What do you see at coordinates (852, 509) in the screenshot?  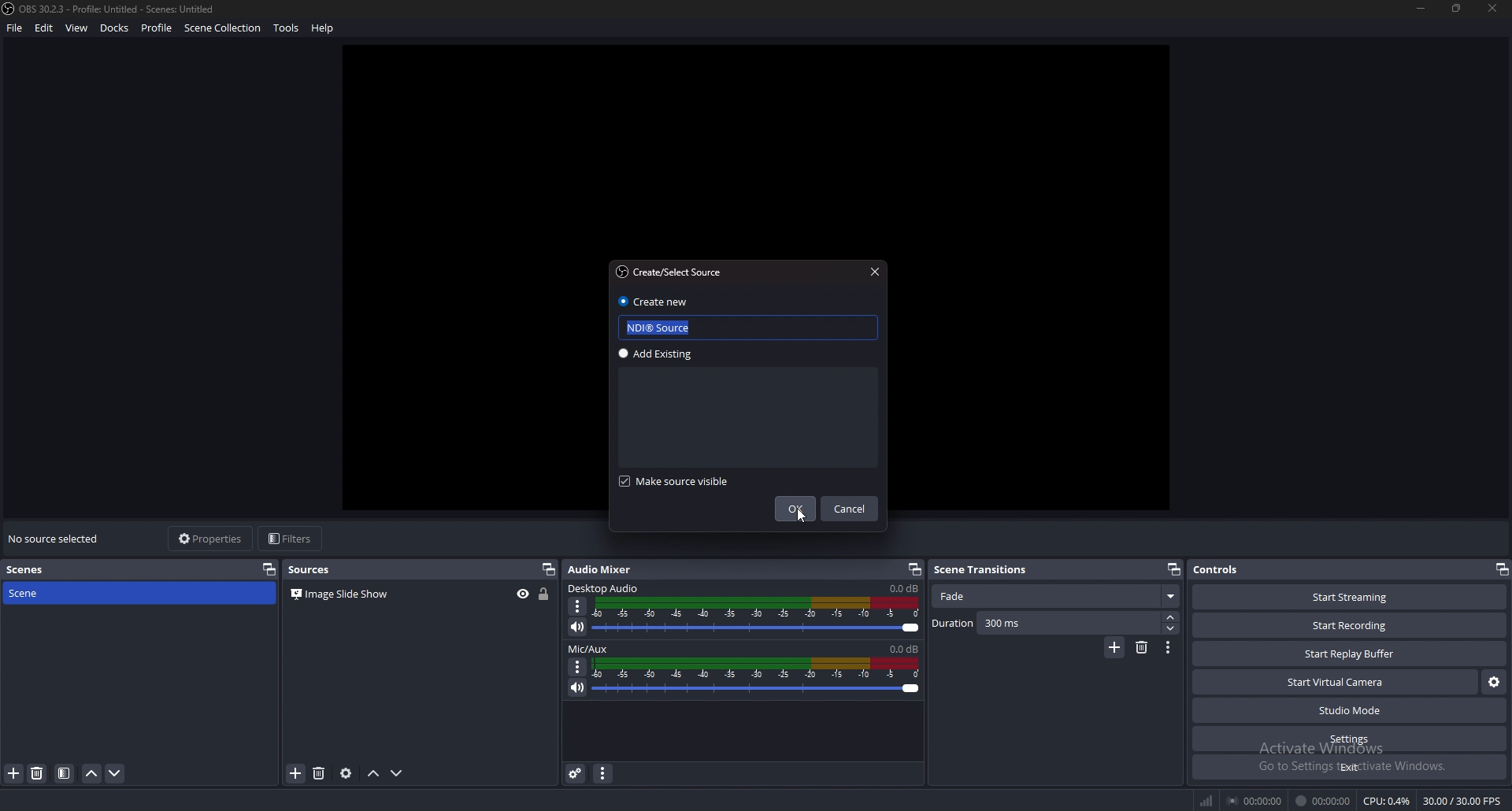 I see `cancel` at bounding box center [852, 509].